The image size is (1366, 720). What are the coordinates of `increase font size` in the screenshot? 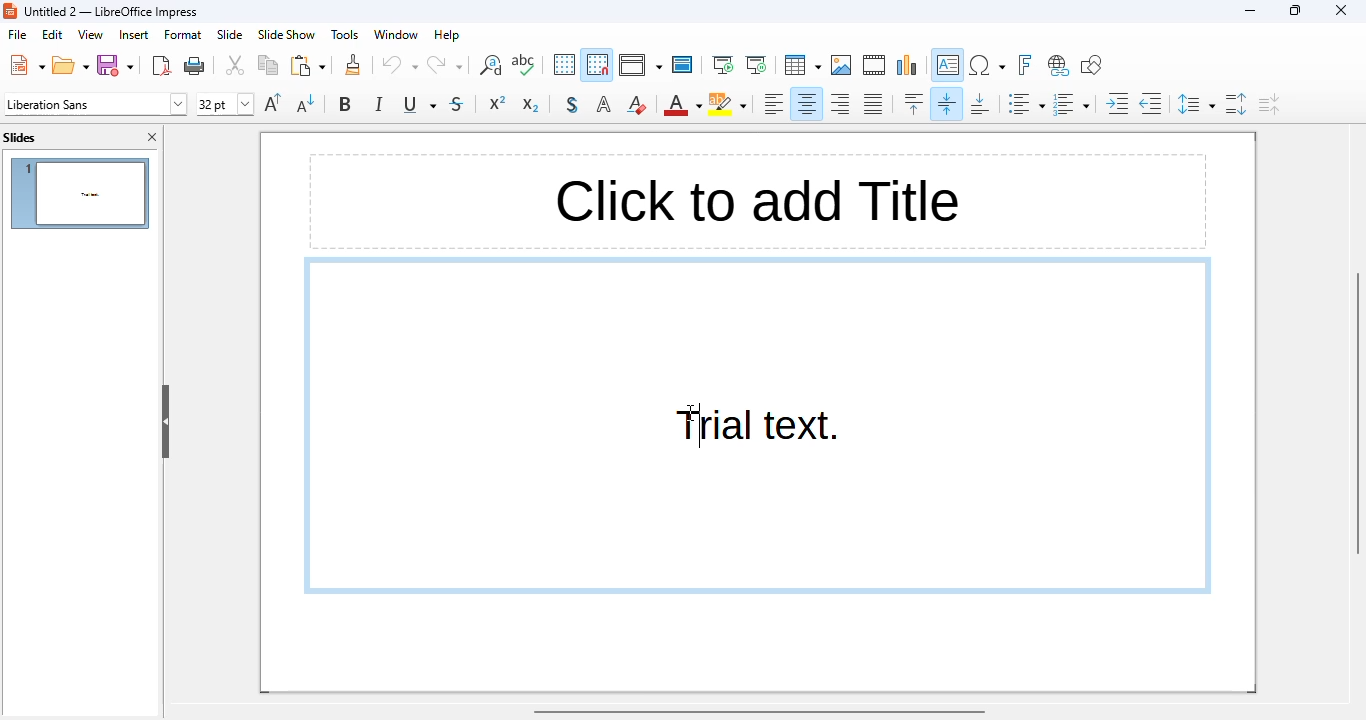 It's located at (273, 102).